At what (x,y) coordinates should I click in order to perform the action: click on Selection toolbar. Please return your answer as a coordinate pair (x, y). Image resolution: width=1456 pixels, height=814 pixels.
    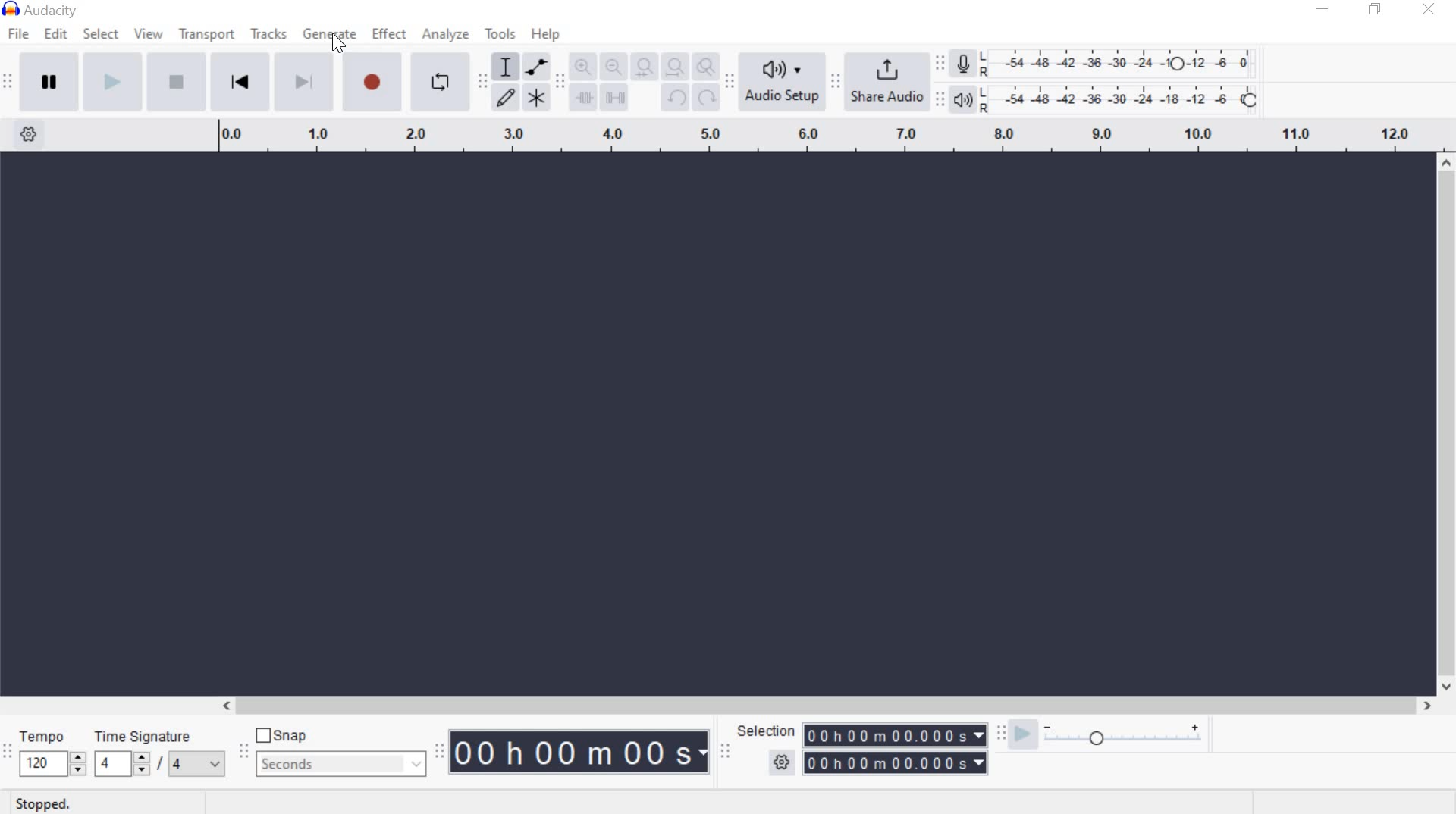
    Looking at the image, I should click on (727, 751).